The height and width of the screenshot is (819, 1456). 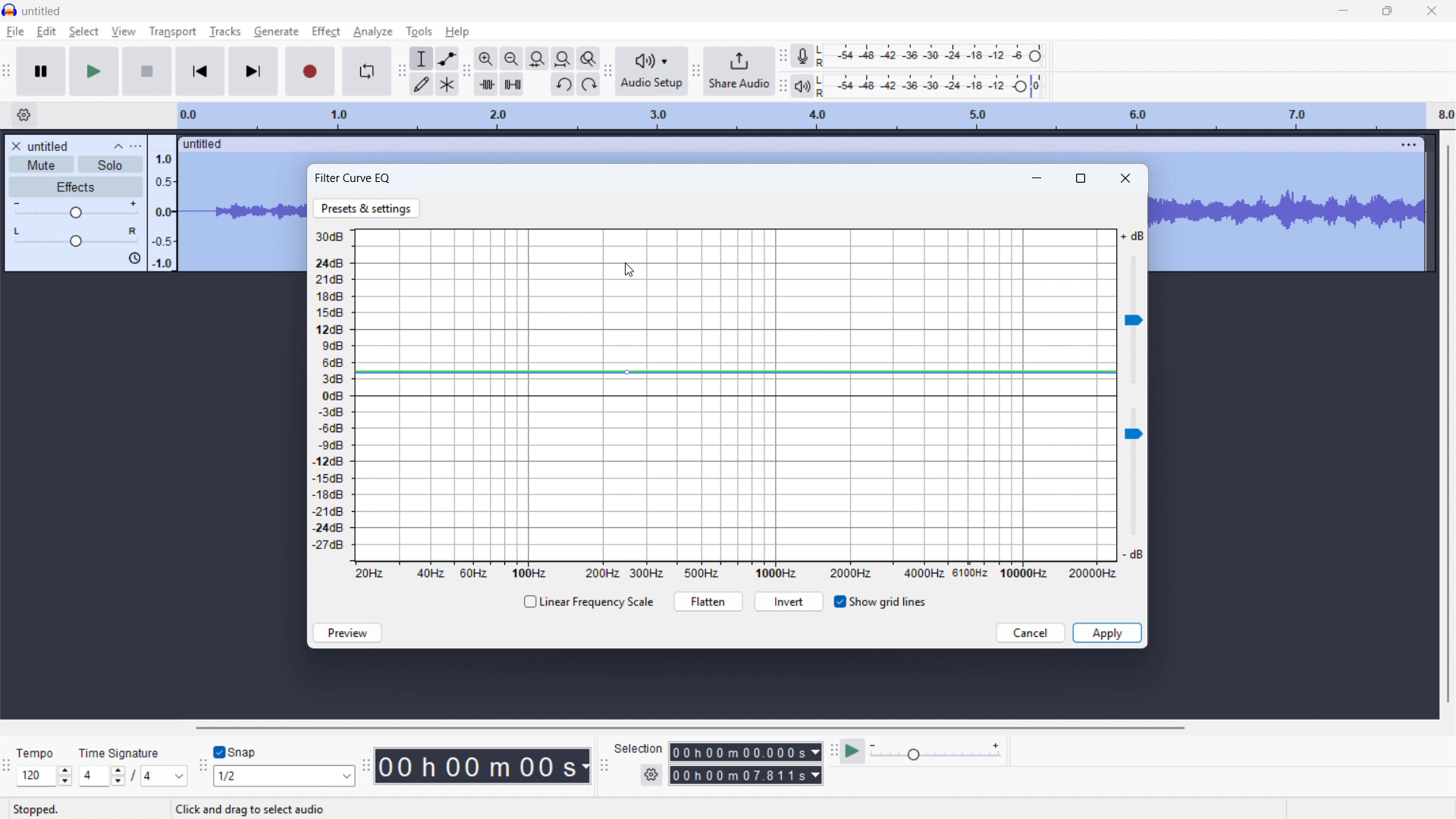 What do you see at coordinates (929, 55) in the screenshot?
I see `Recording level ` at bounding box center [929, 55].